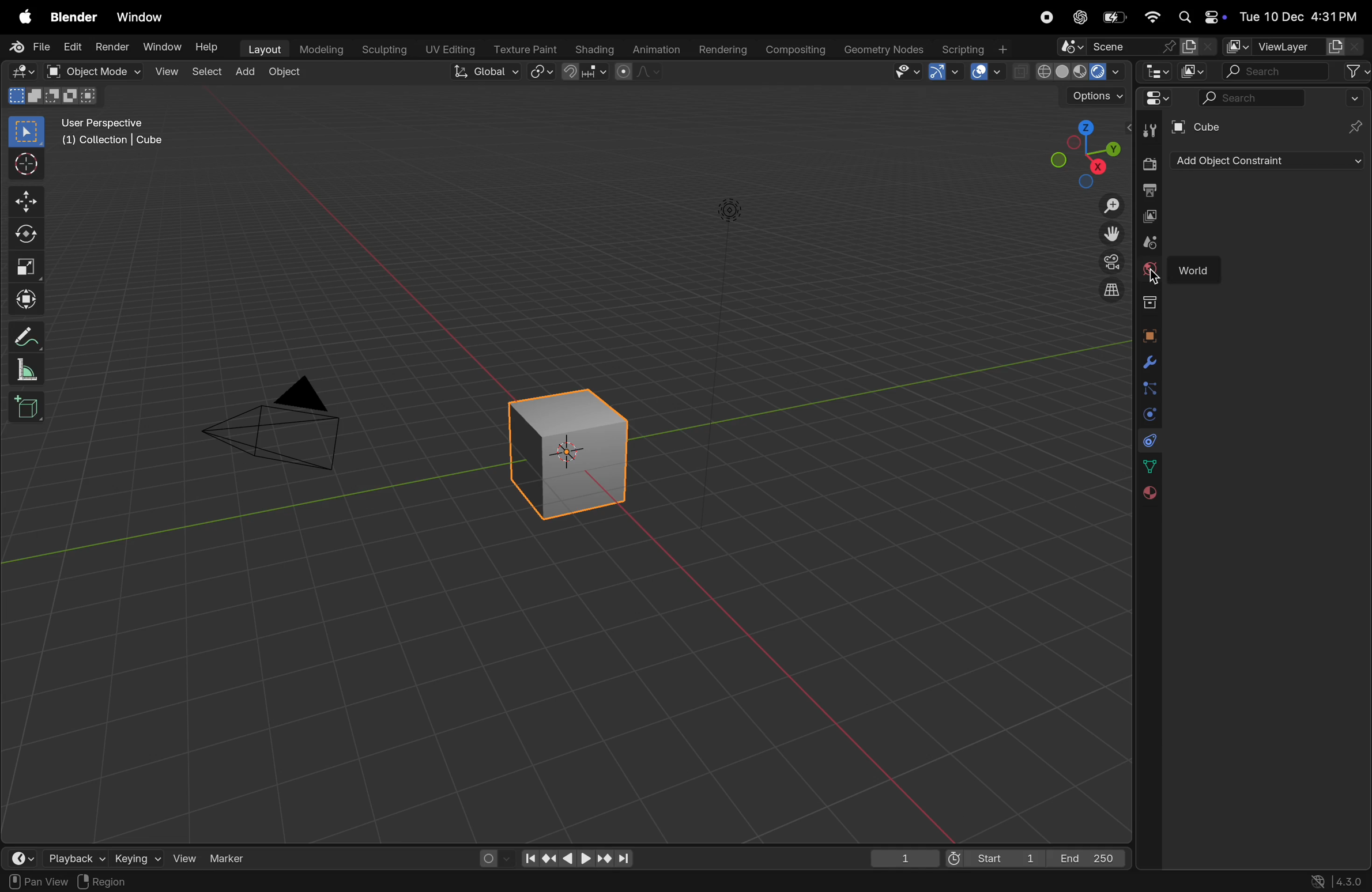 The height and width of the screenshot is (892, 1372). What do you see at coordinates (161, 47) in the screenshot?
I see `Window` at bounding box center [161, 47].